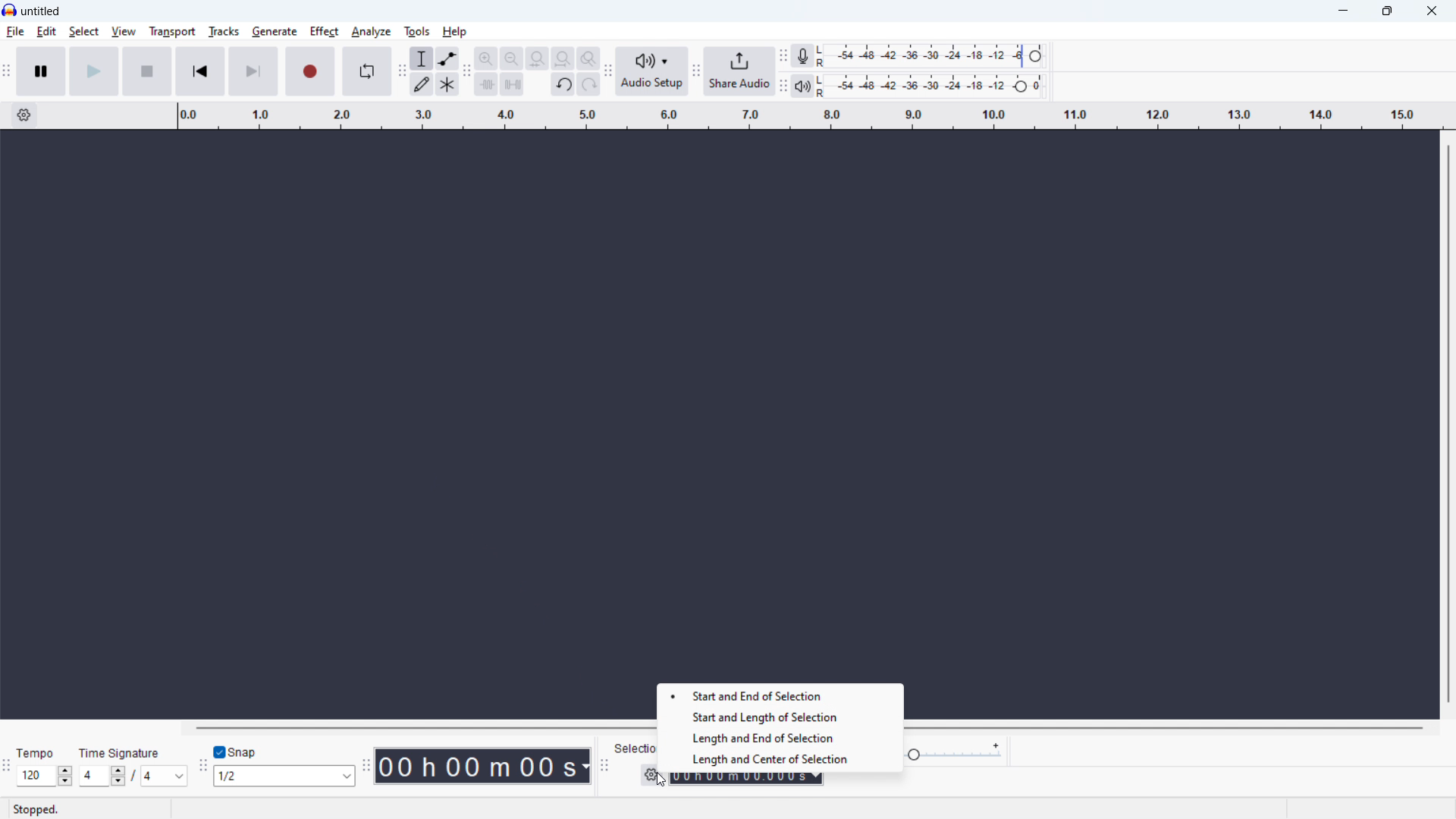 This screenshot has width=1456, height=819. I want to click on selection options, so click(650, 773).